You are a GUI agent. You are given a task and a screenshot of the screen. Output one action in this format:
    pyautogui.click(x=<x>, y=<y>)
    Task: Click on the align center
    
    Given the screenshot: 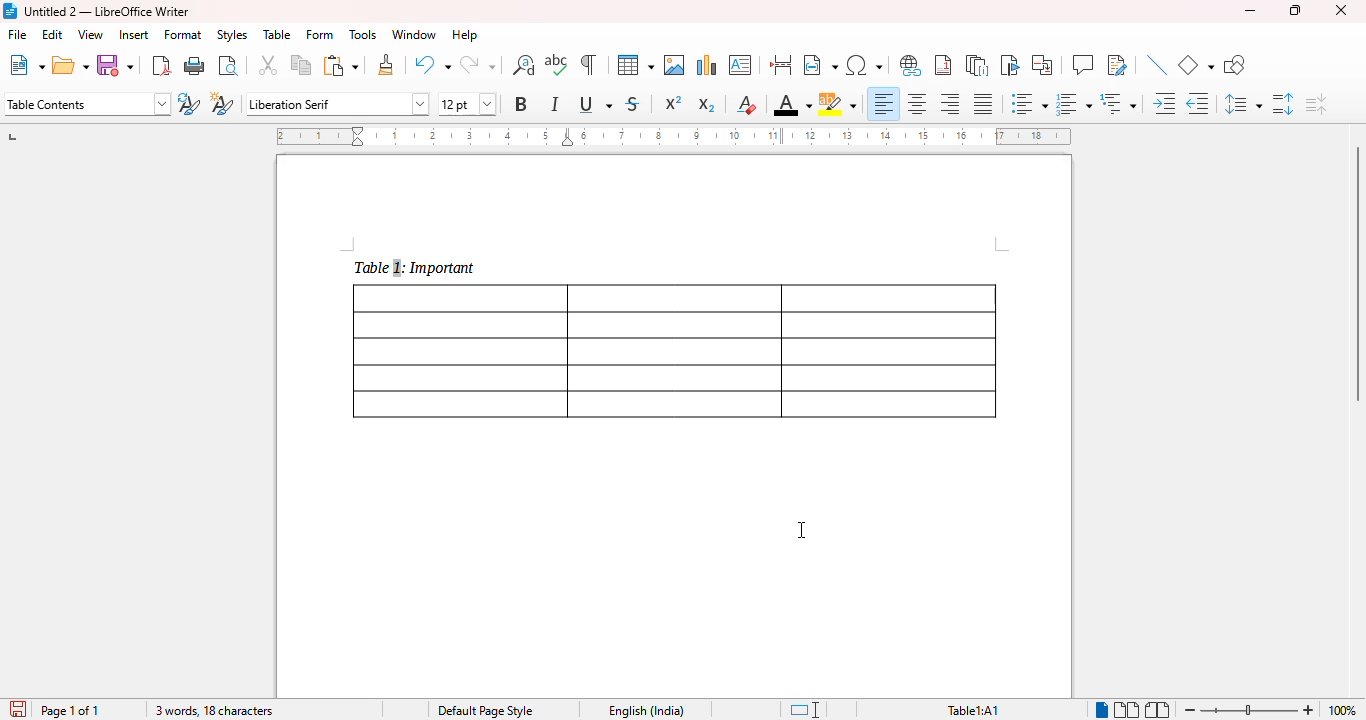 What is the action you would take?
    pyautogui.click(x=917, y=104)
    